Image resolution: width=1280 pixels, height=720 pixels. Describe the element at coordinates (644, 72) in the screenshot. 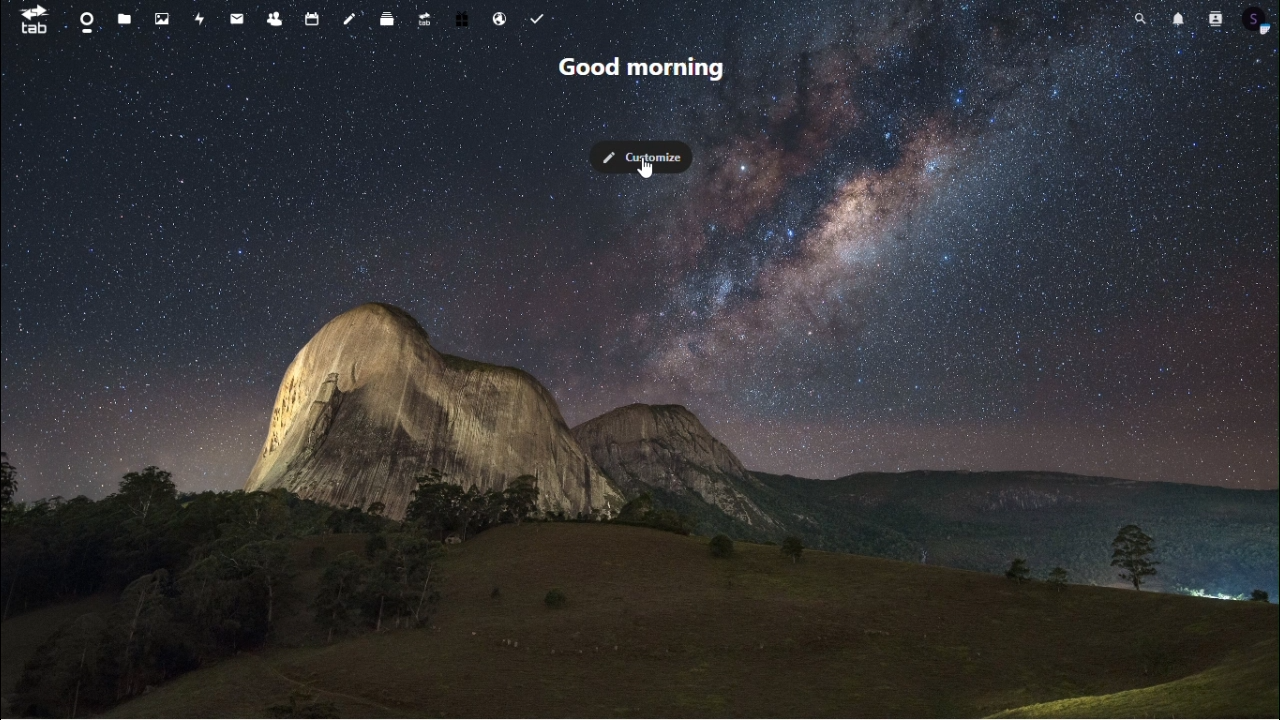

I see `good morning` at that location.